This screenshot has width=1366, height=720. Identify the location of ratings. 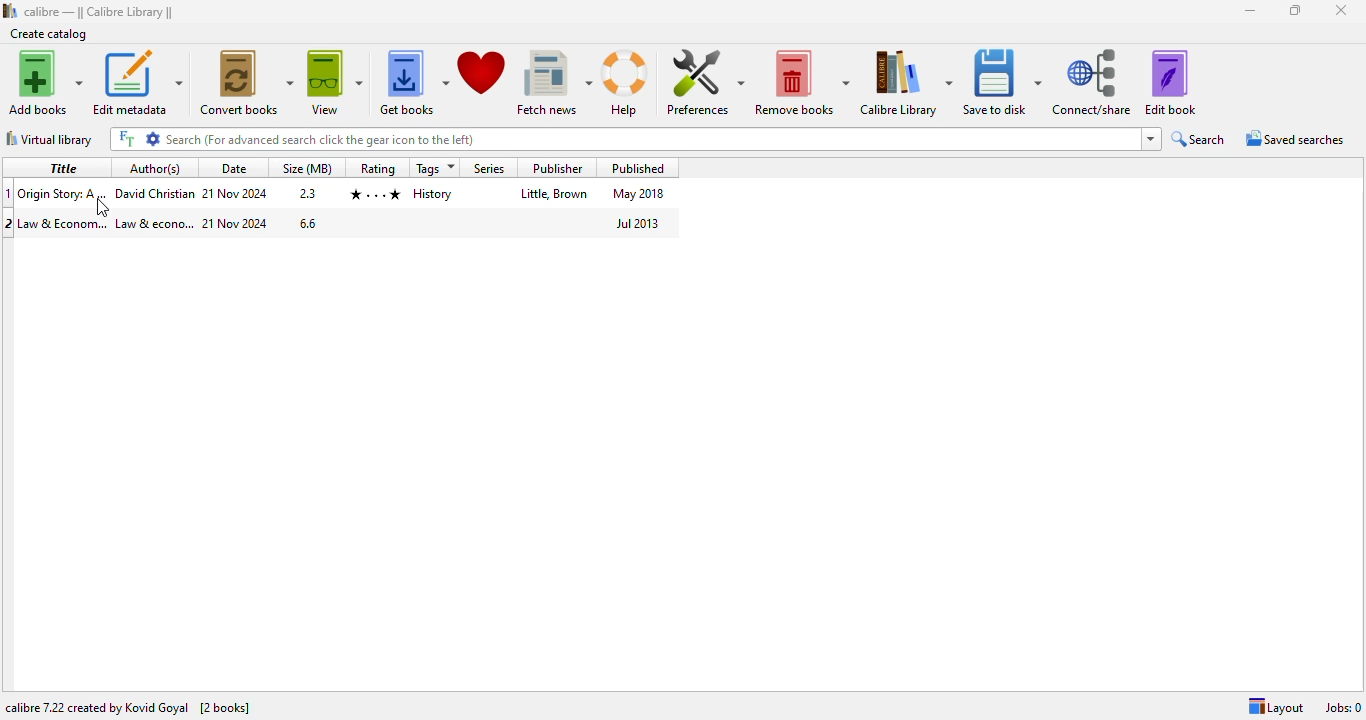
(374, 195).